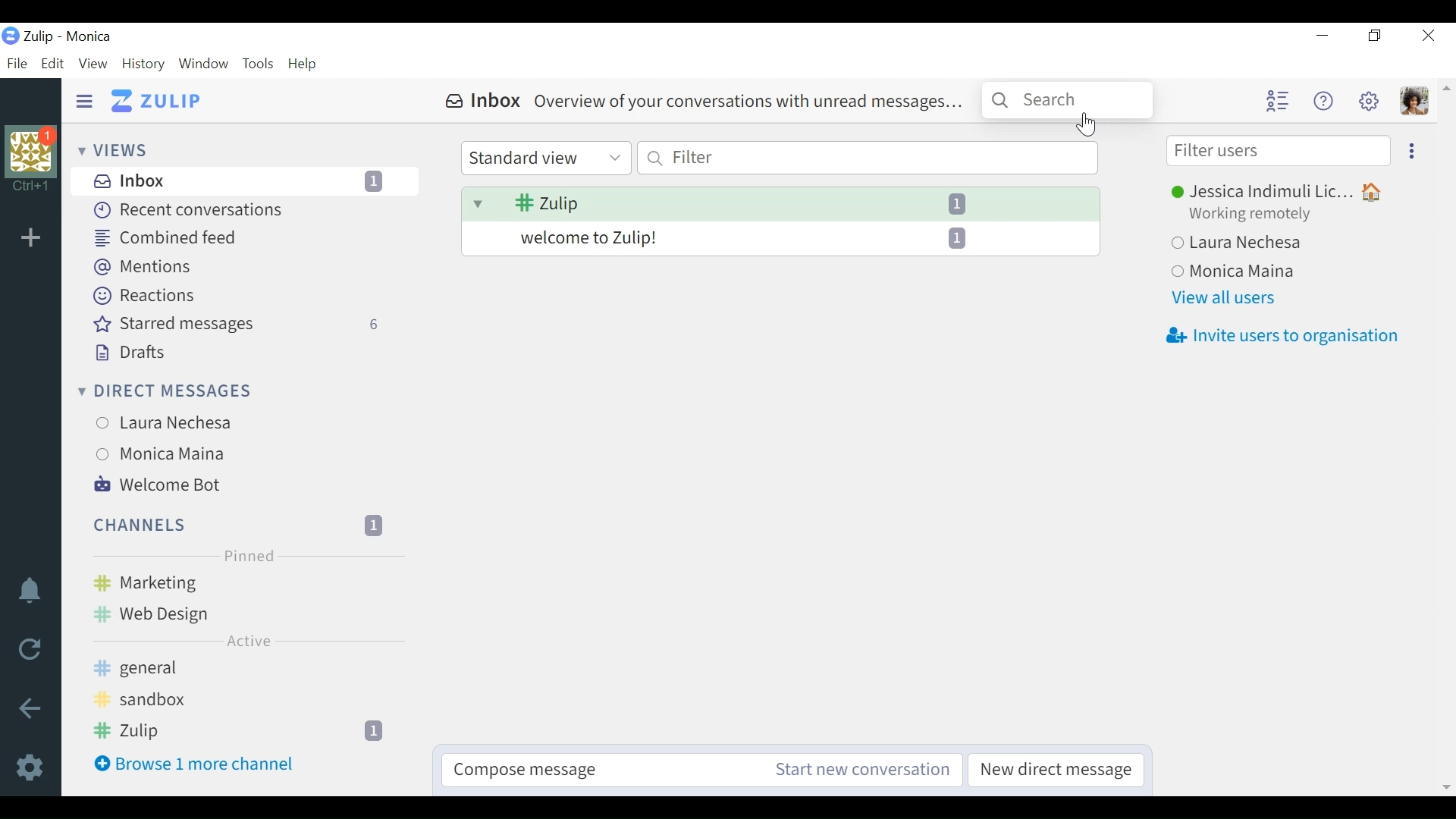 This screenshot has width=1456, height=819. Describe the element at coordinates (243, 325) in the screenshot. I see `Starred messages` at that location.